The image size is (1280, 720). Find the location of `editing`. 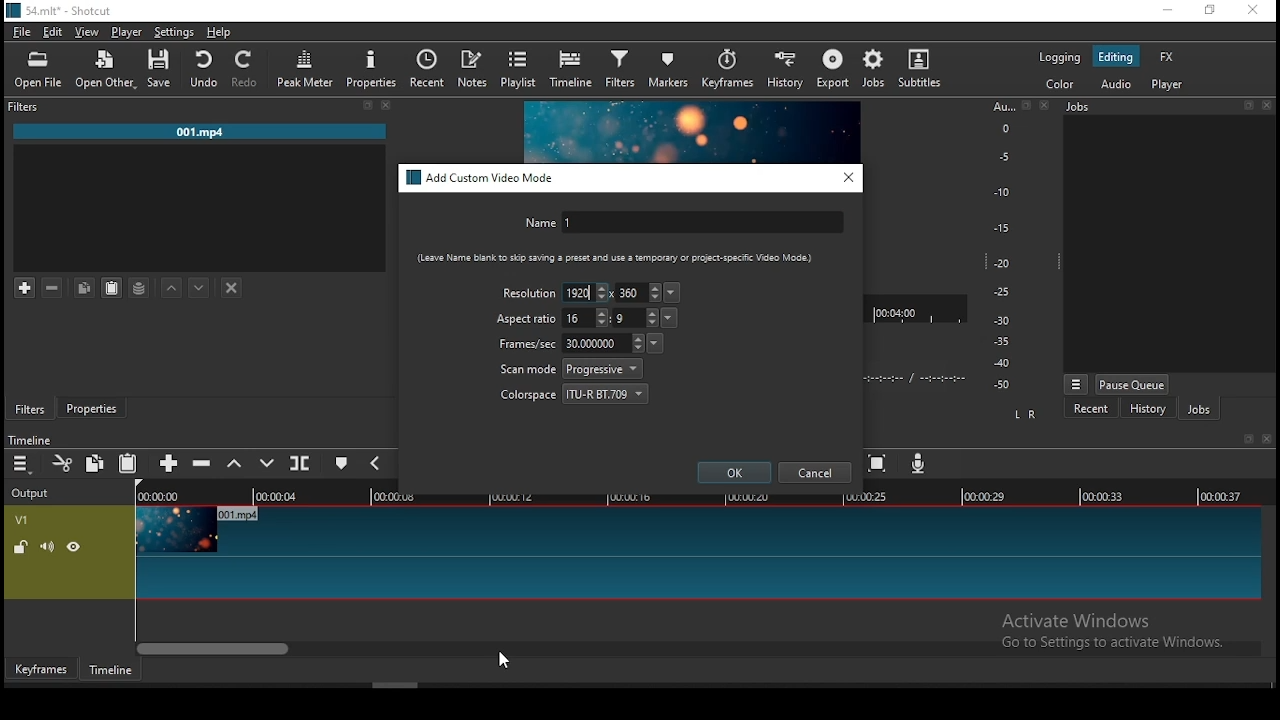

editing is located at coordinates (1116, 57).